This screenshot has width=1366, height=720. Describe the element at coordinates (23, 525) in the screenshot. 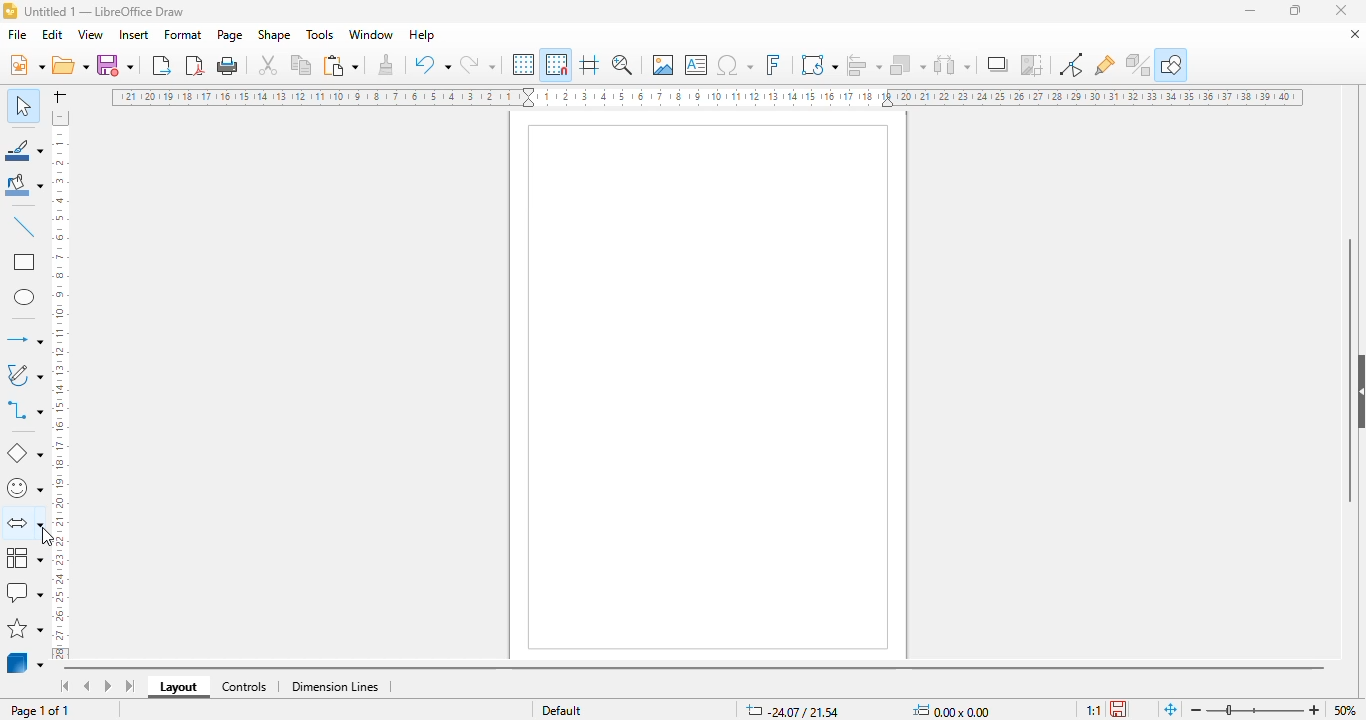

I see `block arrows` at that location.